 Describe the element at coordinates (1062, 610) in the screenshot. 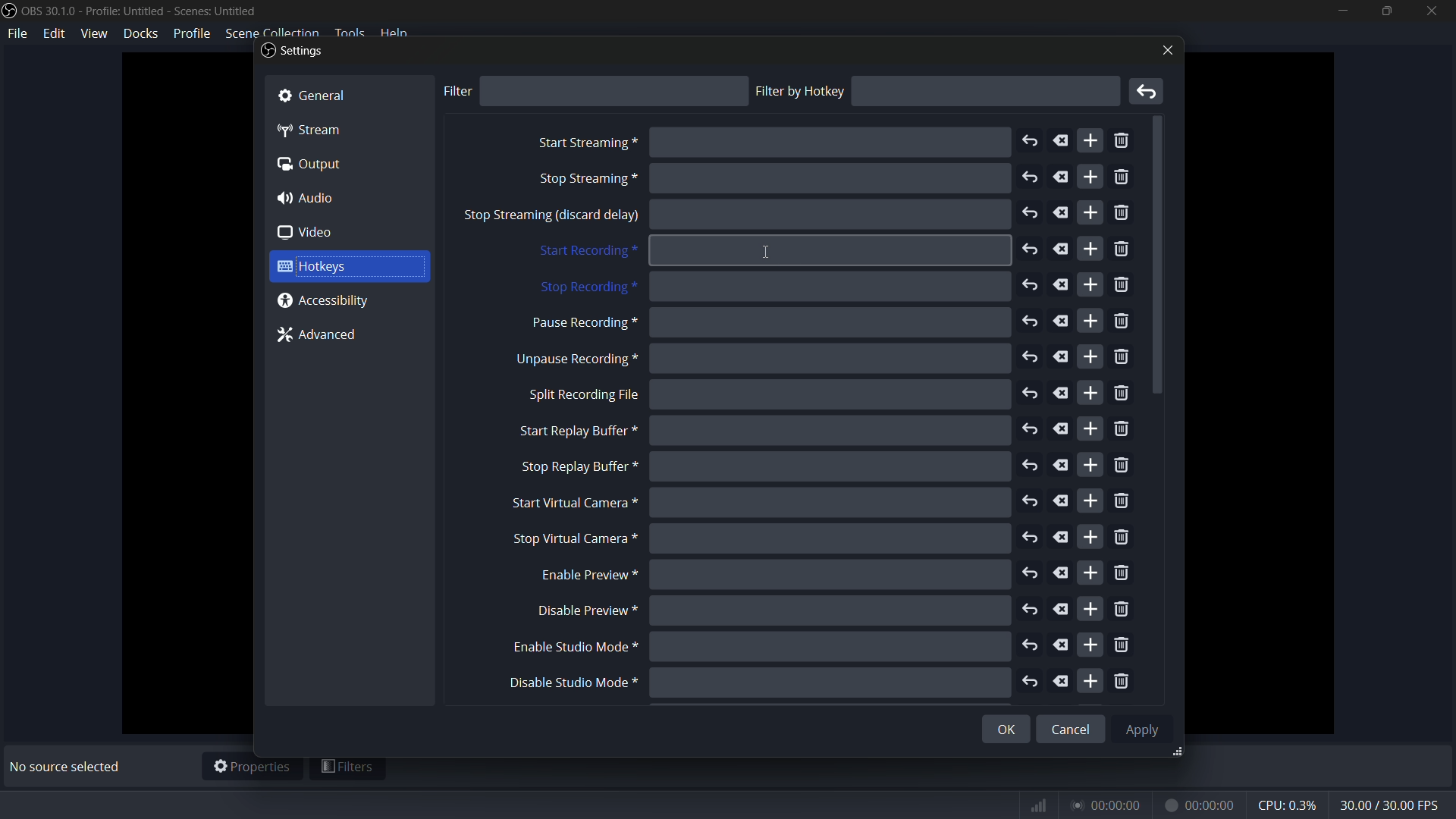

I see `delete` at that location.